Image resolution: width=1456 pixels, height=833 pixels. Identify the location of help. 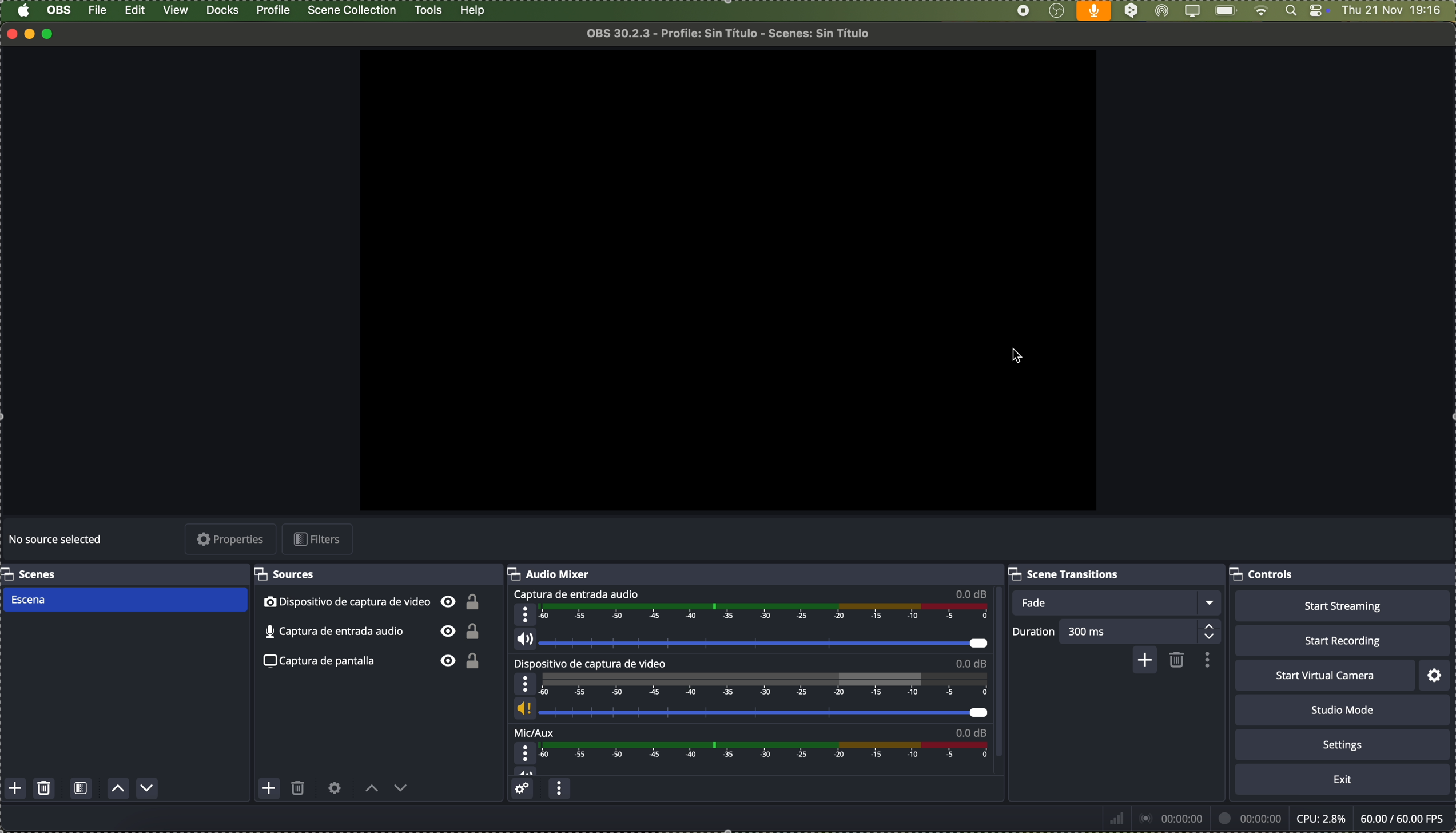
(473, 11).